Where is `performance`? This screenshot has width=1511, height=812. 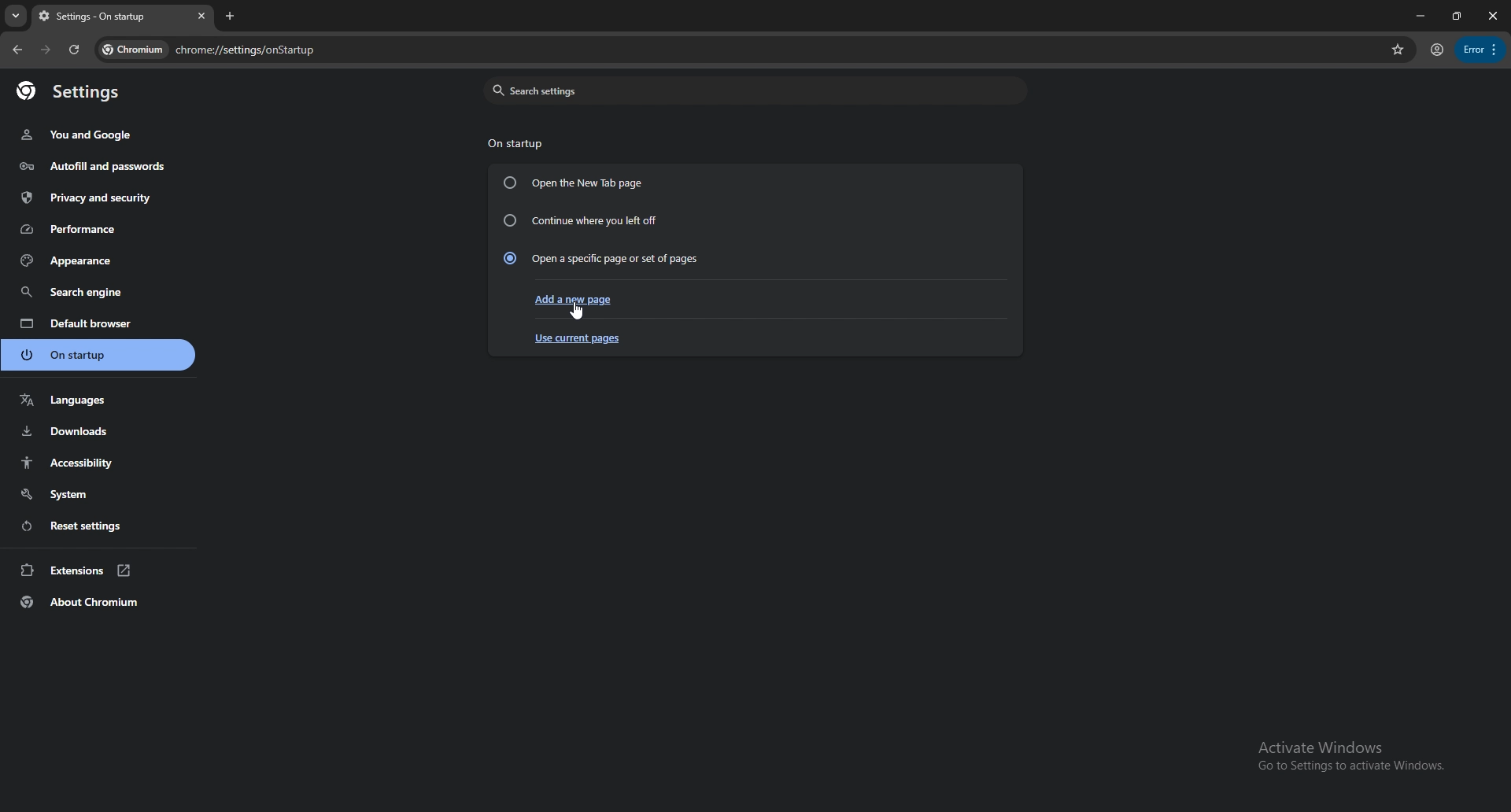 performance is located at coordinates (92, 228).